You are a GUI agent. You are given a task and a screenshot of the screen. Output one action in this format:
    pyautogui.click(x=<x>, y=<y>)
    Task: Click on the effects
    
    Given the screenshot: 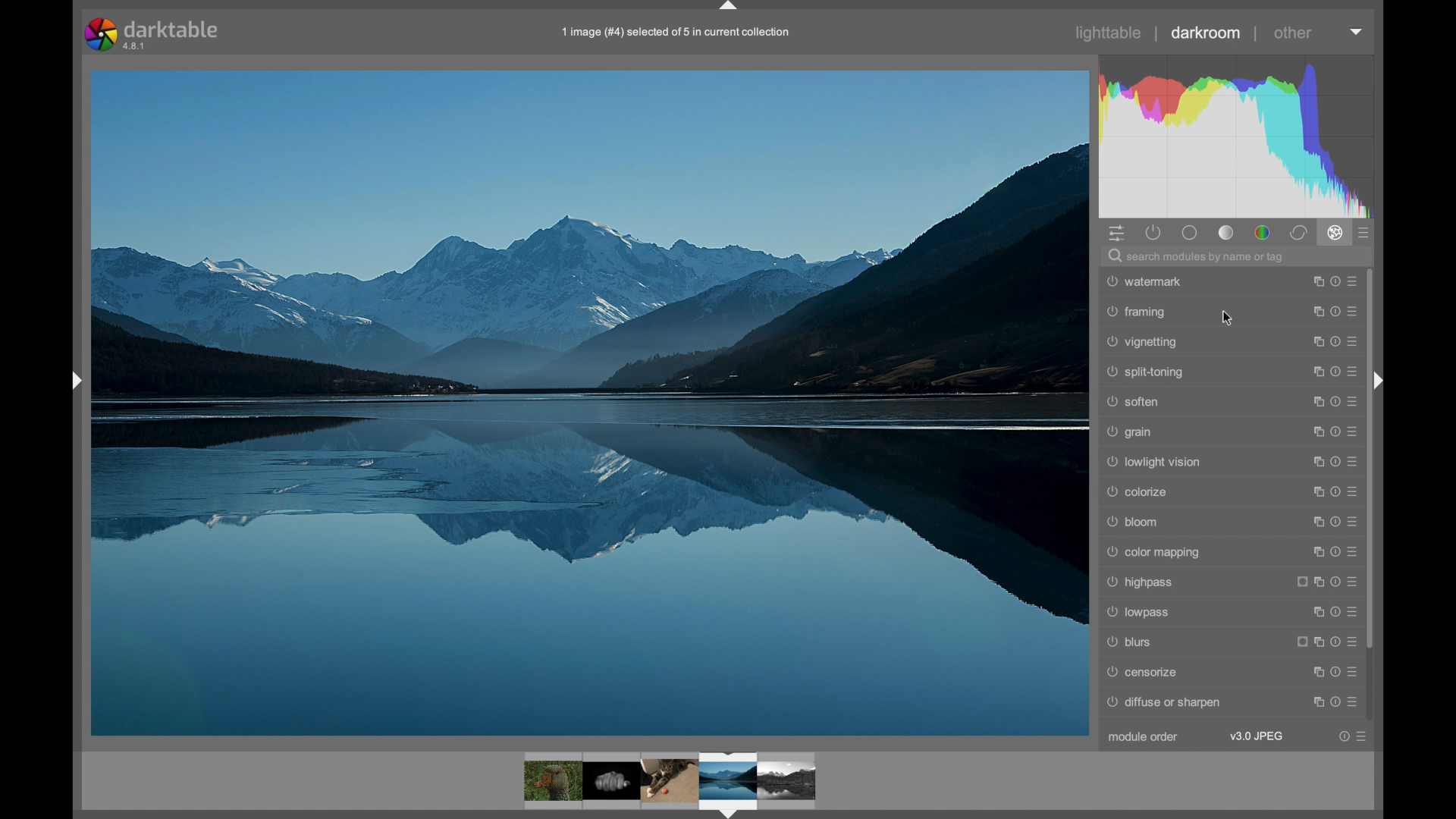 What is the action you would take?
    pyautogui.click(x=1336, y=232)
    